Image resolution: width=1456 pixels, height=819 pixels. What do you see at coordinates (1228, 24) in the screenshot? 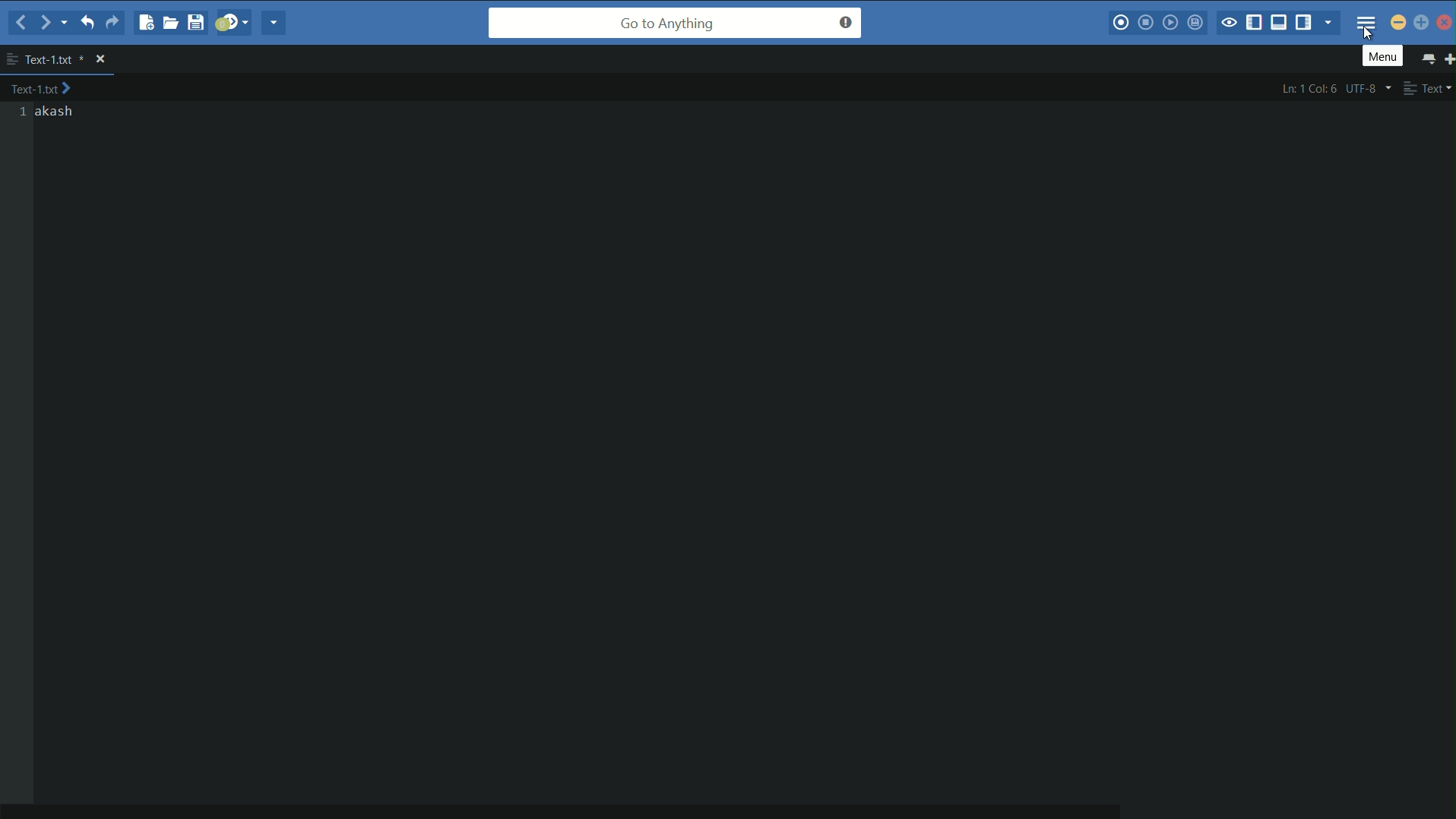
I see `toggle focus mode` at bounding box center [1228, 24].